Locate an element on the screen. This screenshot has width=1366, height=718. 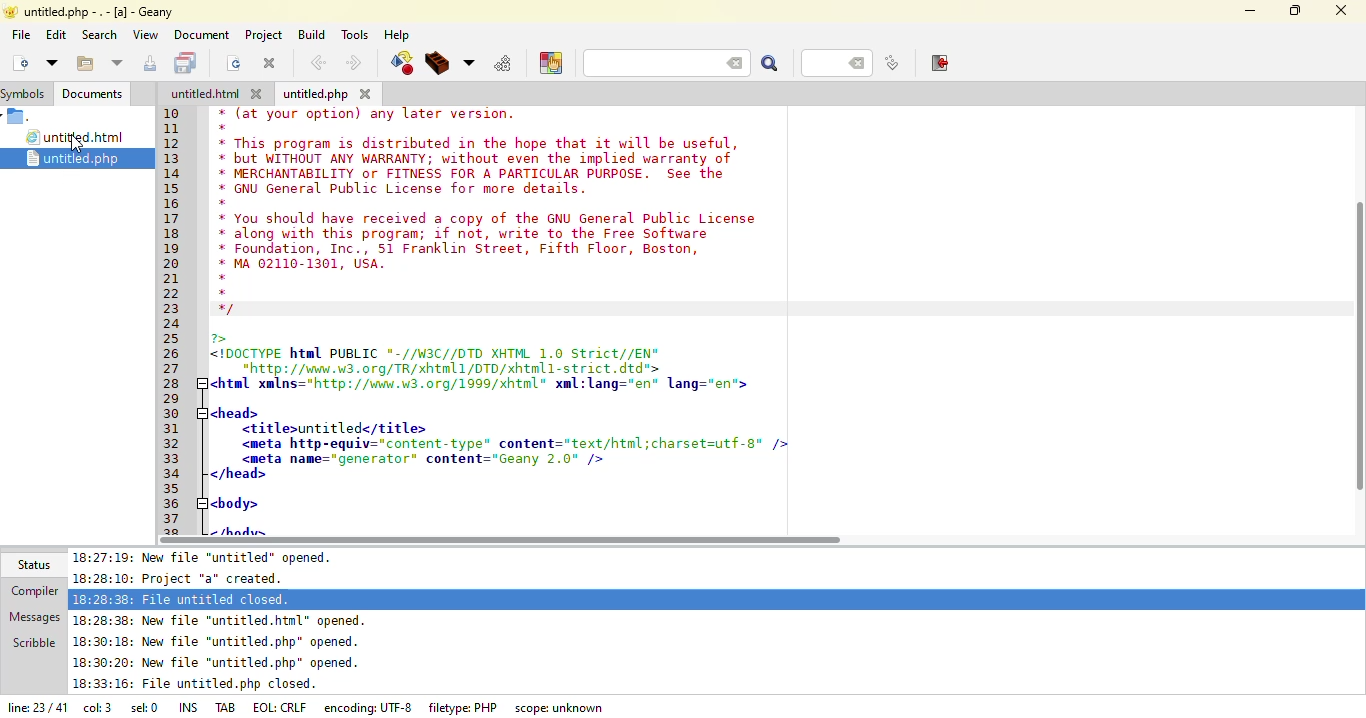
maximize is located at coordinates (1296, 11).